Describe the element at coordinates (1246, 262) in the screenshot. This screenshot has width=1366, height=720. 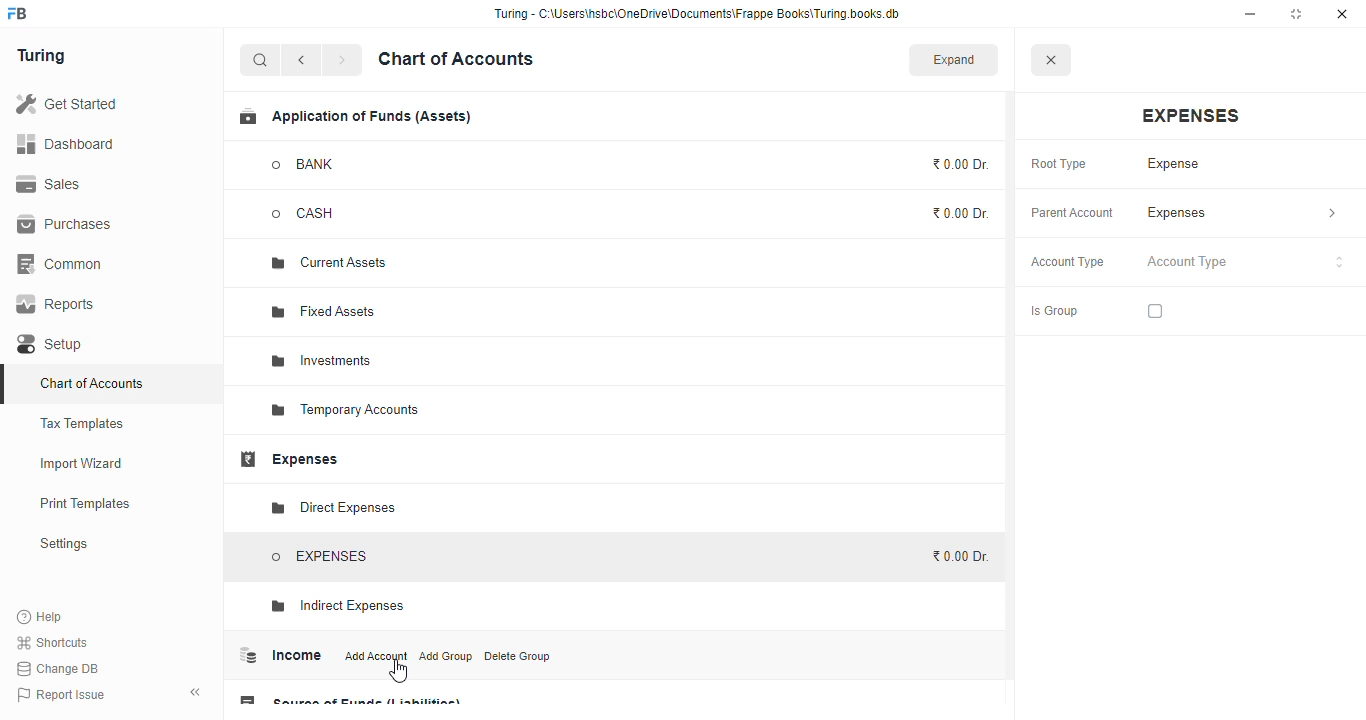
I see `account type` at that location.